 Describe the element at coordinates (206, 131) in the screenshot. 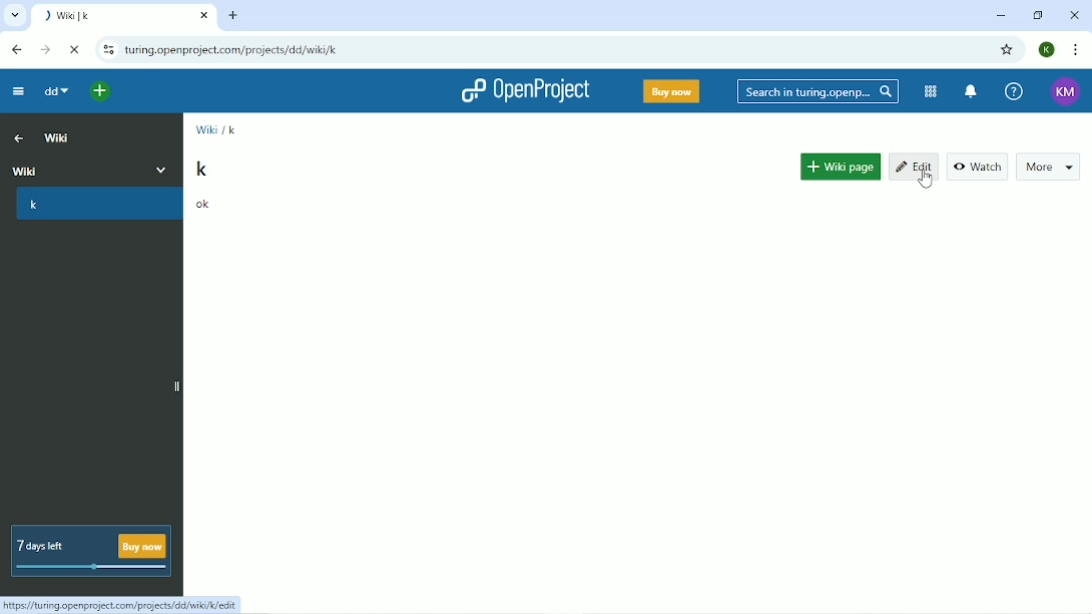

I see `Wiki` at that location.